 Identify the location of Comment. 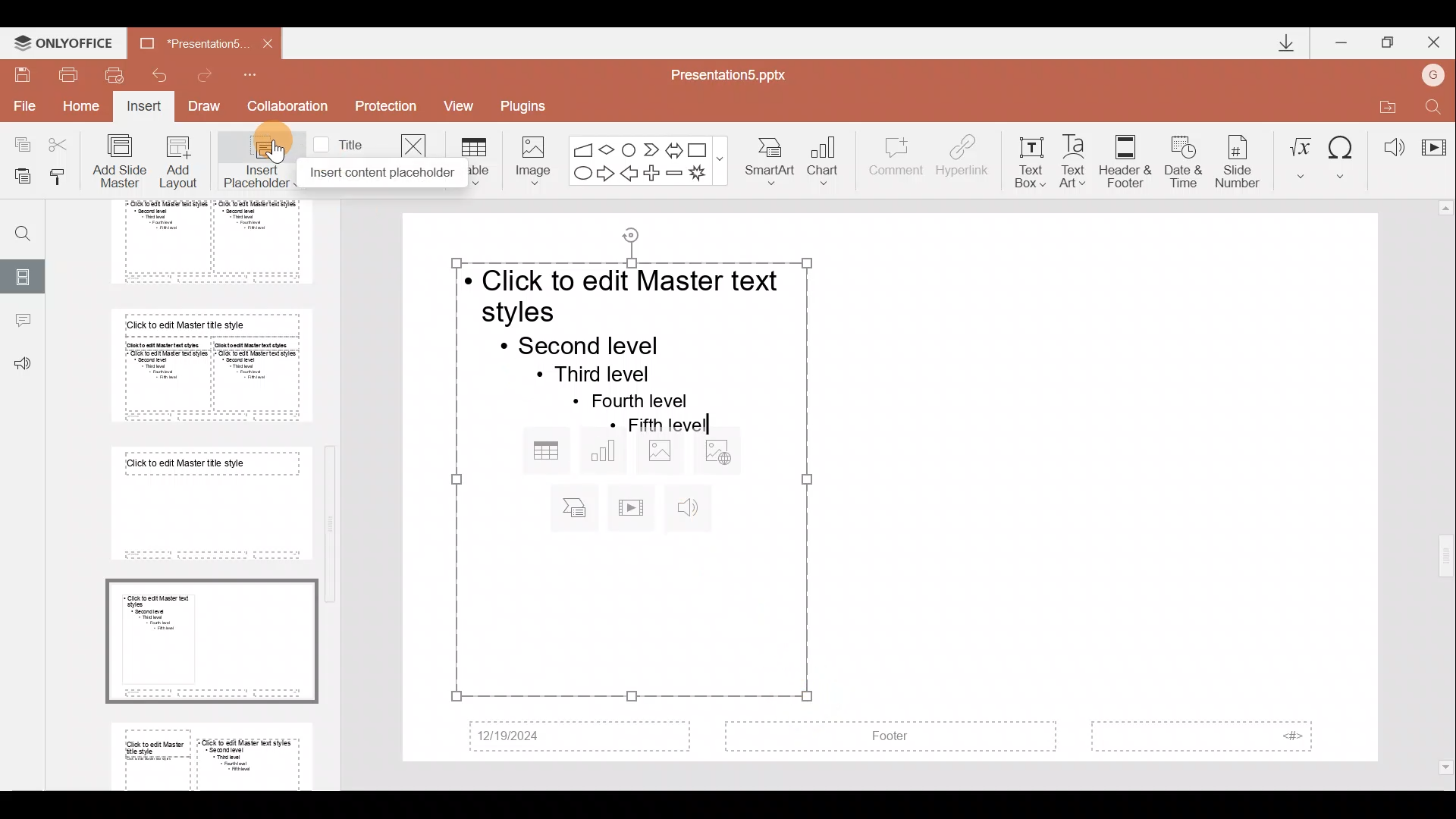
(896, 163).